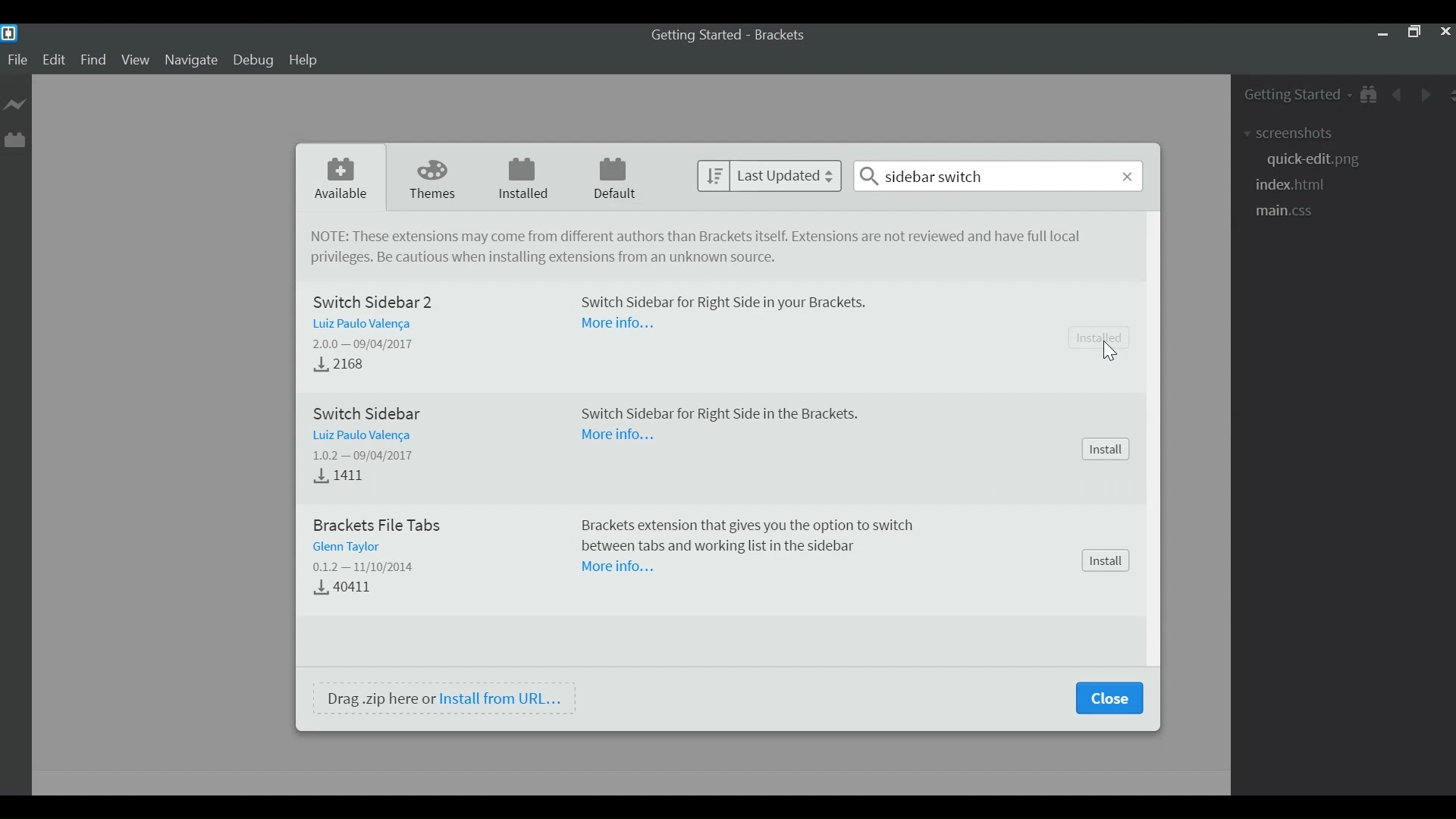 The width and height of the screenshot is (1456, 819). Describe the element at coordinates (343, 476) in the screenshot. I see `Downloads` at that location.